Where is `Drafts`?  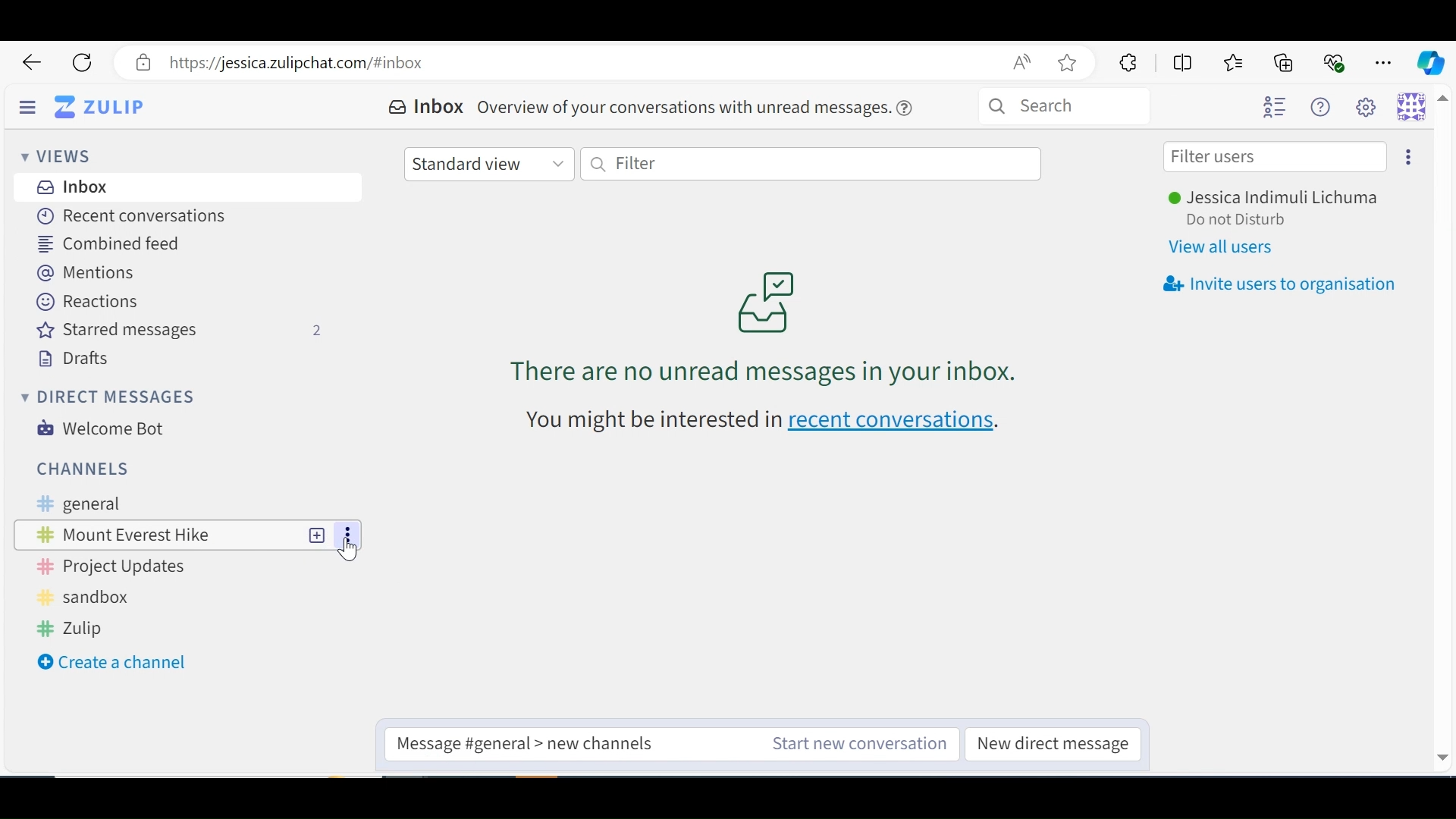 Drafts is located at coordinates (74, 359).